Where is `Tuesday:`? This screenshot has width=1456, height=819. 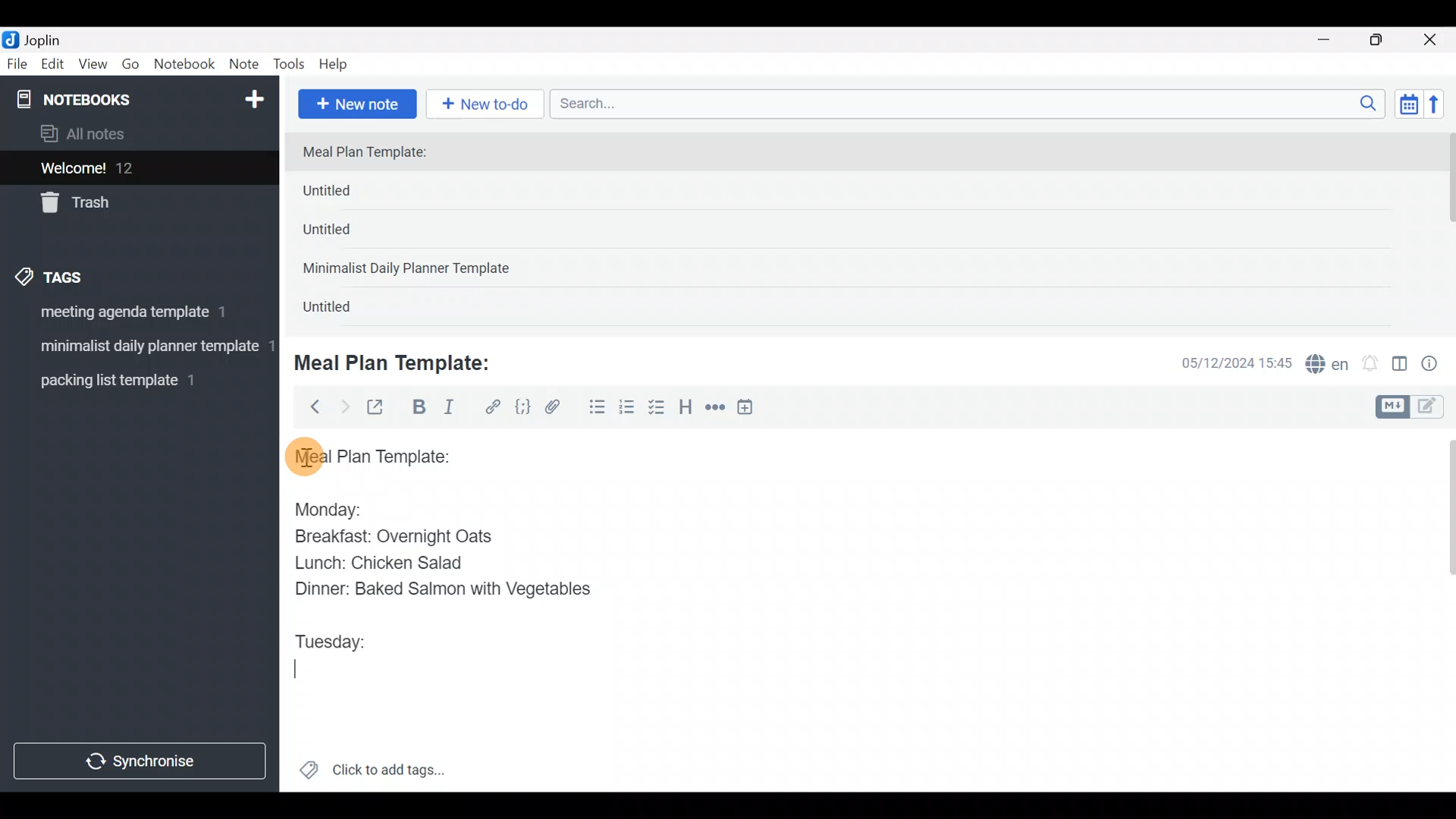
Tuesday: is located at coordinates (330, 643).